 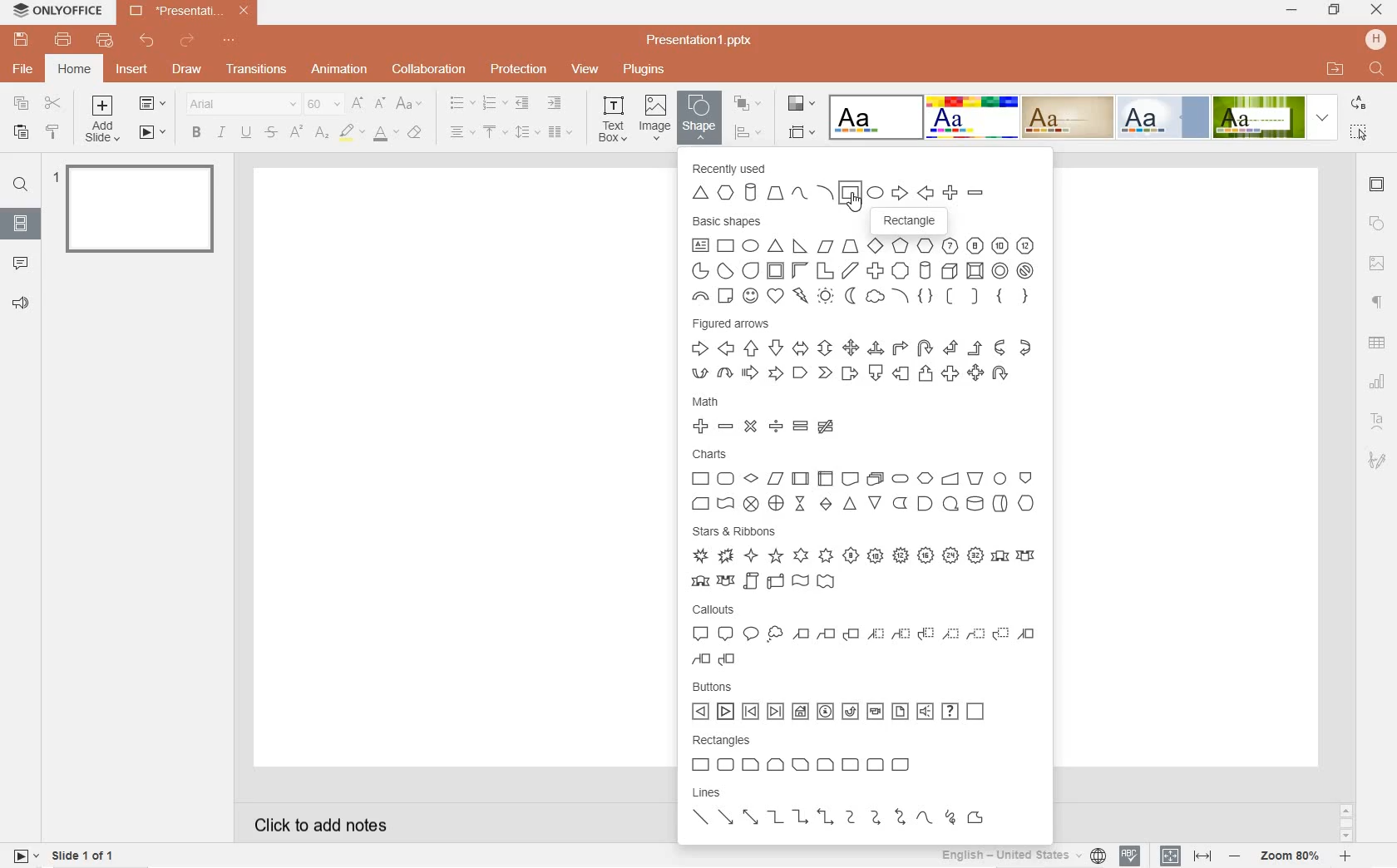 I want to click on 4-point star, so click(x=751, y=555).